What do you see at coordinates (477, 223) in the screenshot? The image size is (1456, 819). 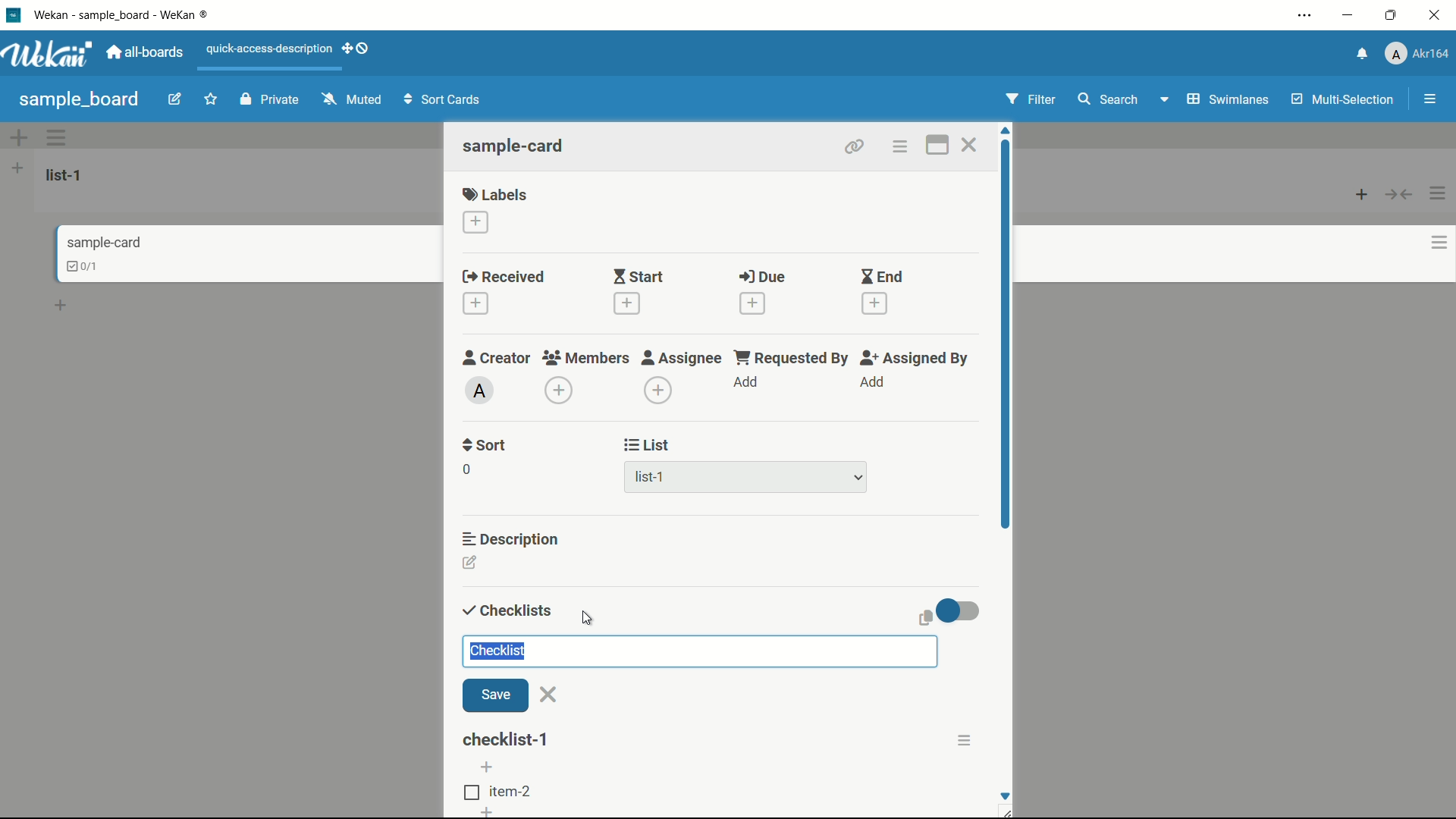 I see `add label` at bounding box center [477, 223].